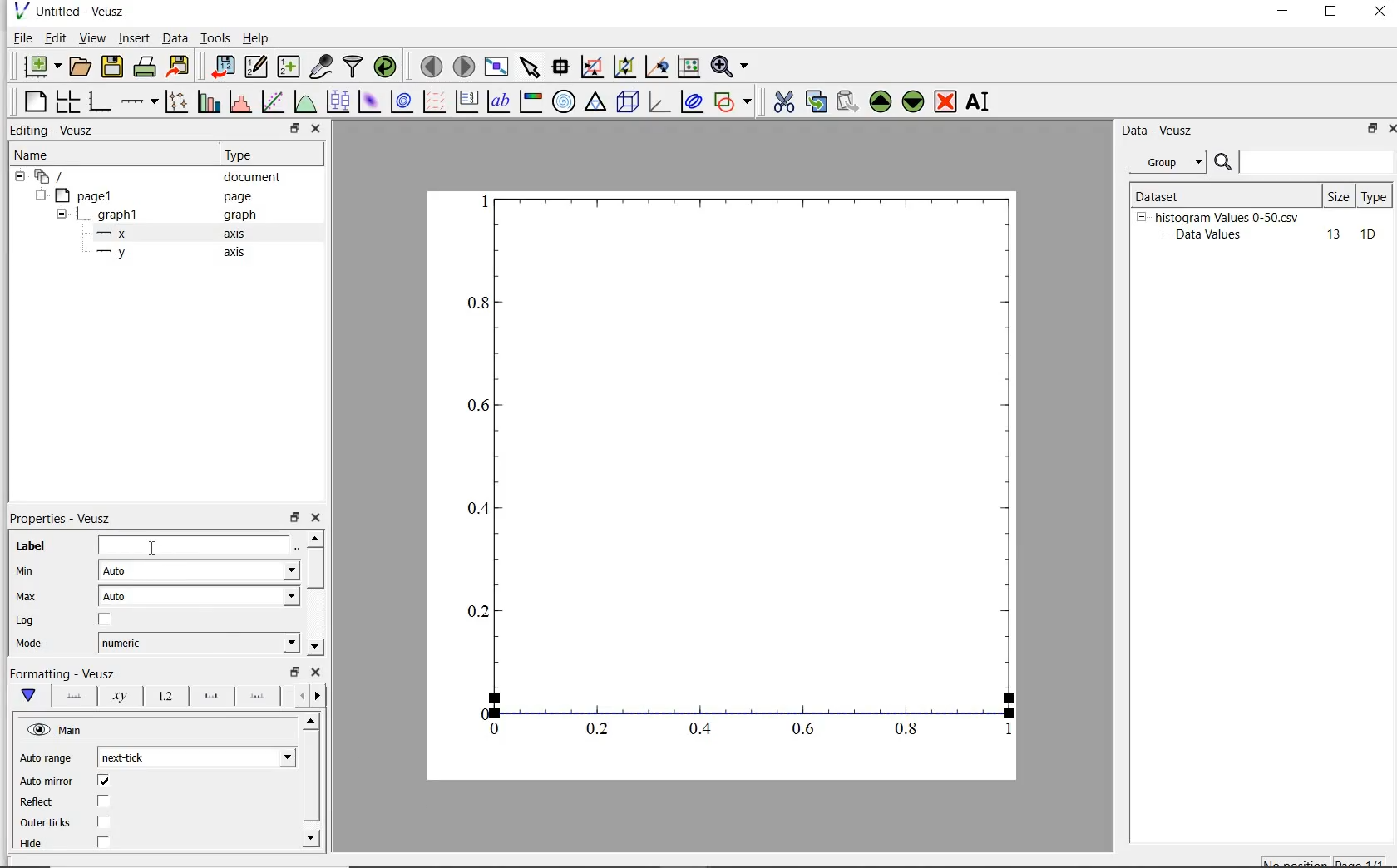 The image size is (1397, 868). What do you see at coordinates (115, 253) in the screenshot?
I see `y-axis` at bounding box center [115, 253].